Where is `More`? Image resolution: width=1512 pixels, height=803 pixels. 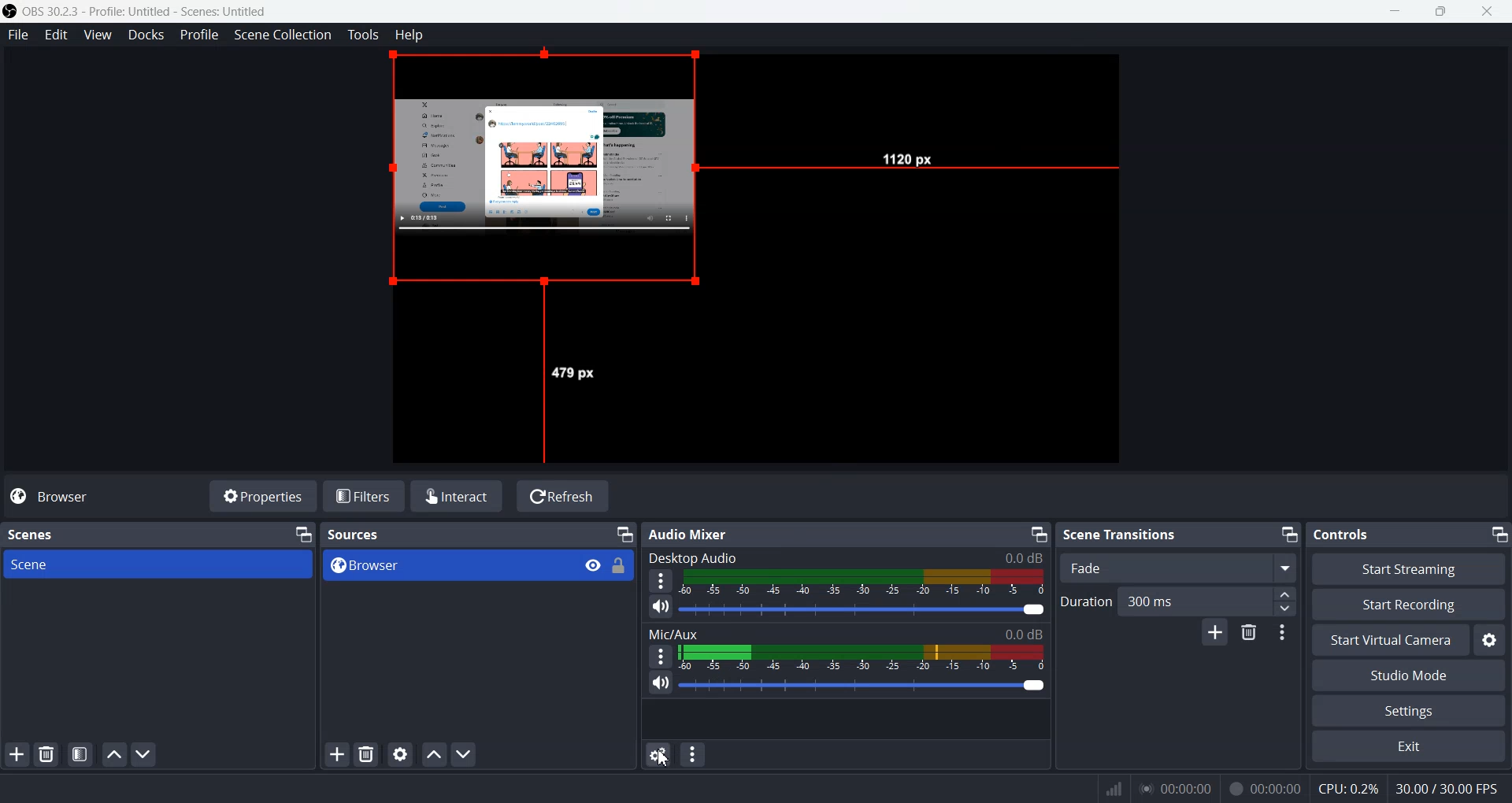
More is located at coordinates (661, 580).